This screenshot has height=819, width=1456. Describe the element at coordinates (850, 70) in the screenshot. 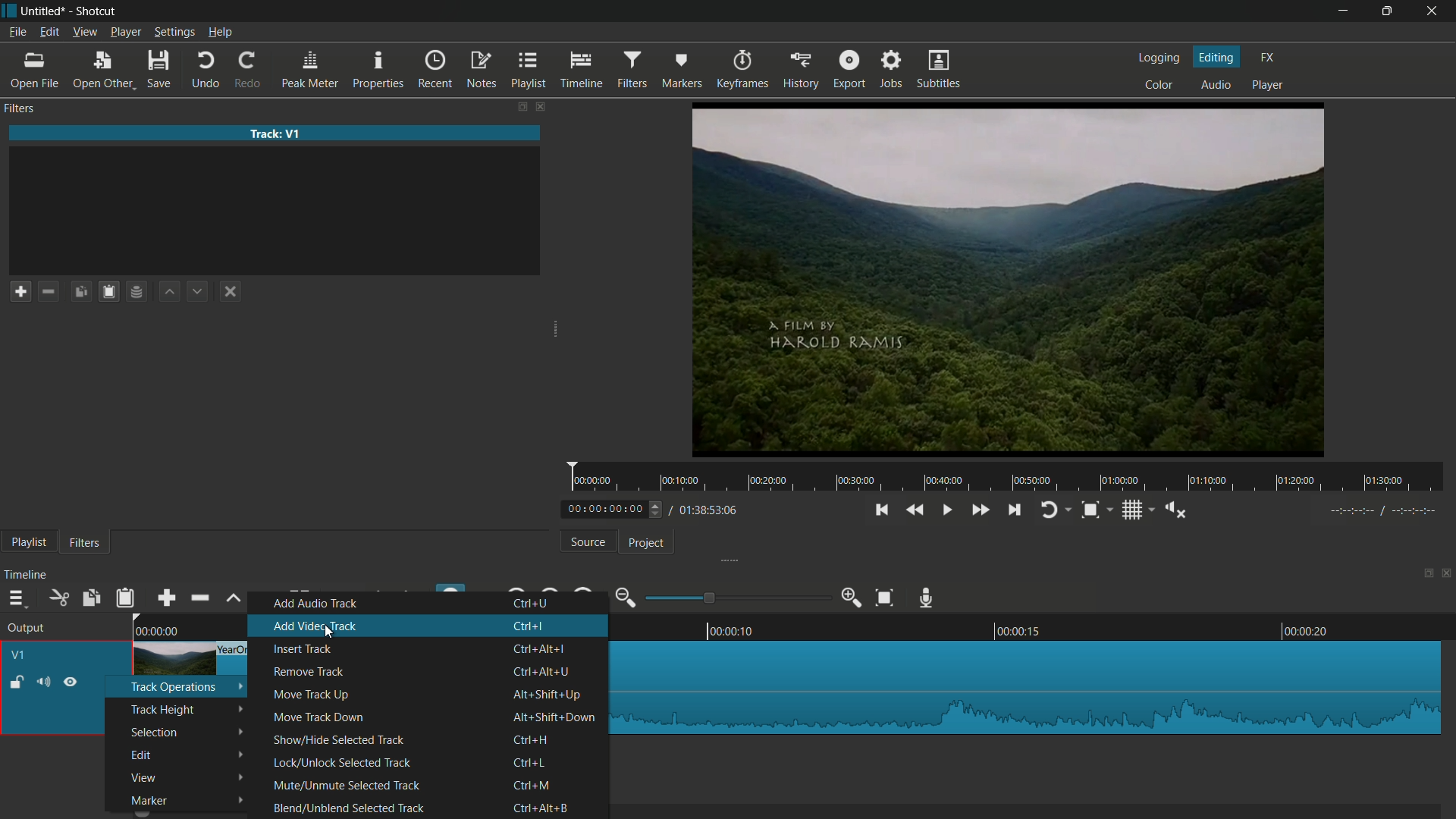

I see `export` at that location.